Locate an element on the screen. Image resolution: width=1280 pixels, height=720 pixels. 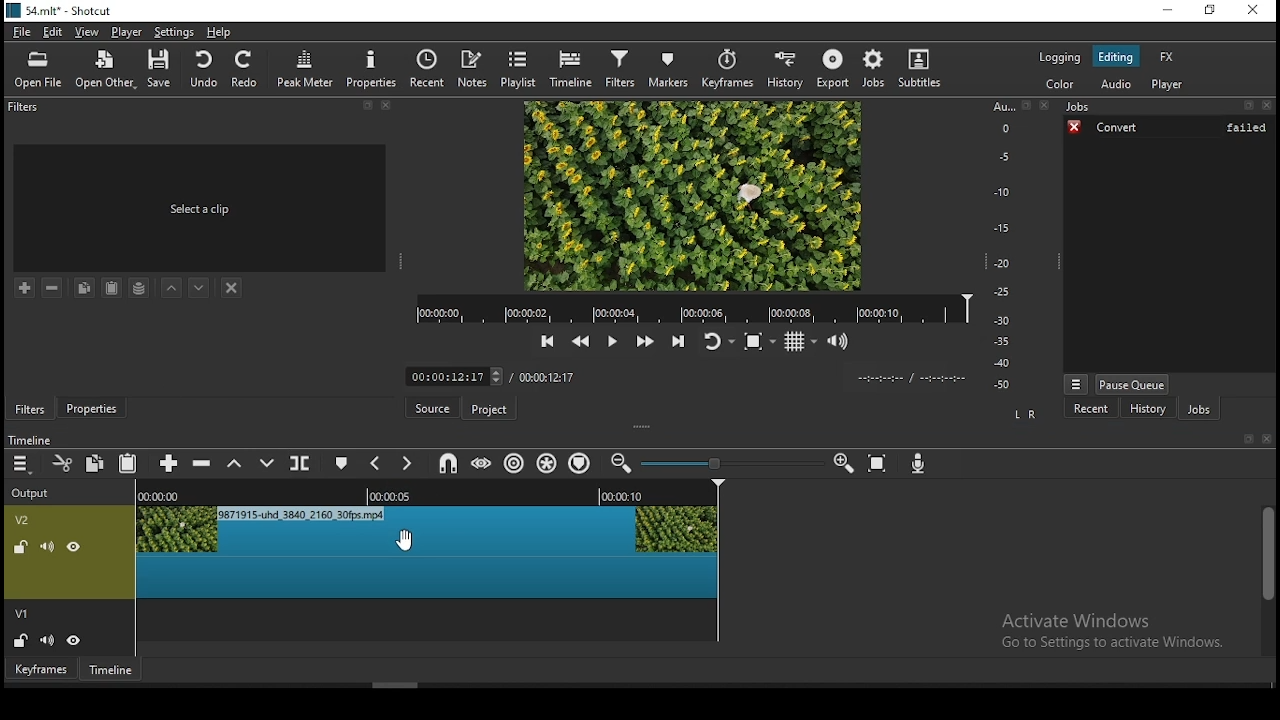
deselect filter is located at coordinates (231, 288).